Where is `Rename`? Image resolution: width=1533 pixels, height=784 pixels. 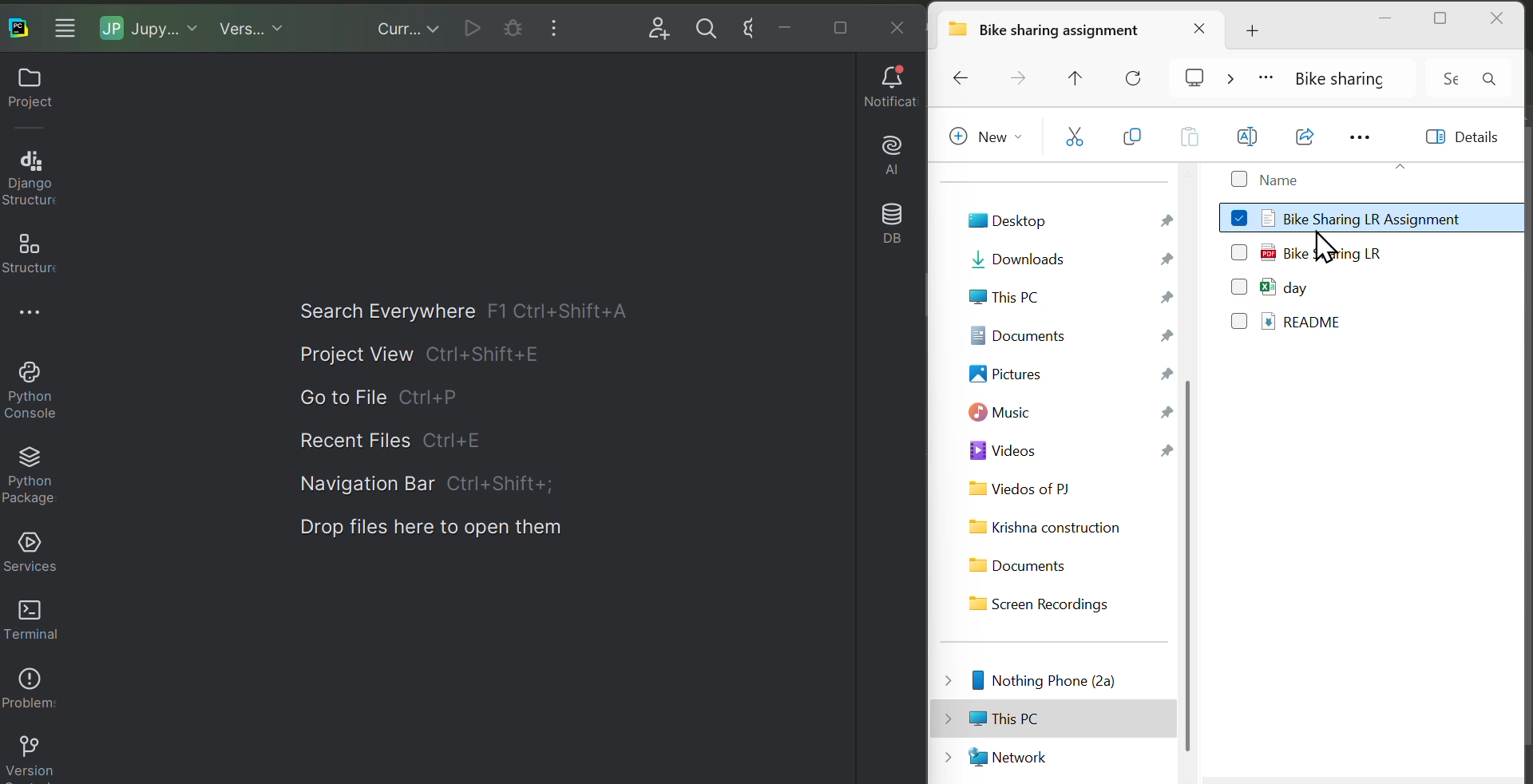
Rename is located at coordinates (1249, 137).